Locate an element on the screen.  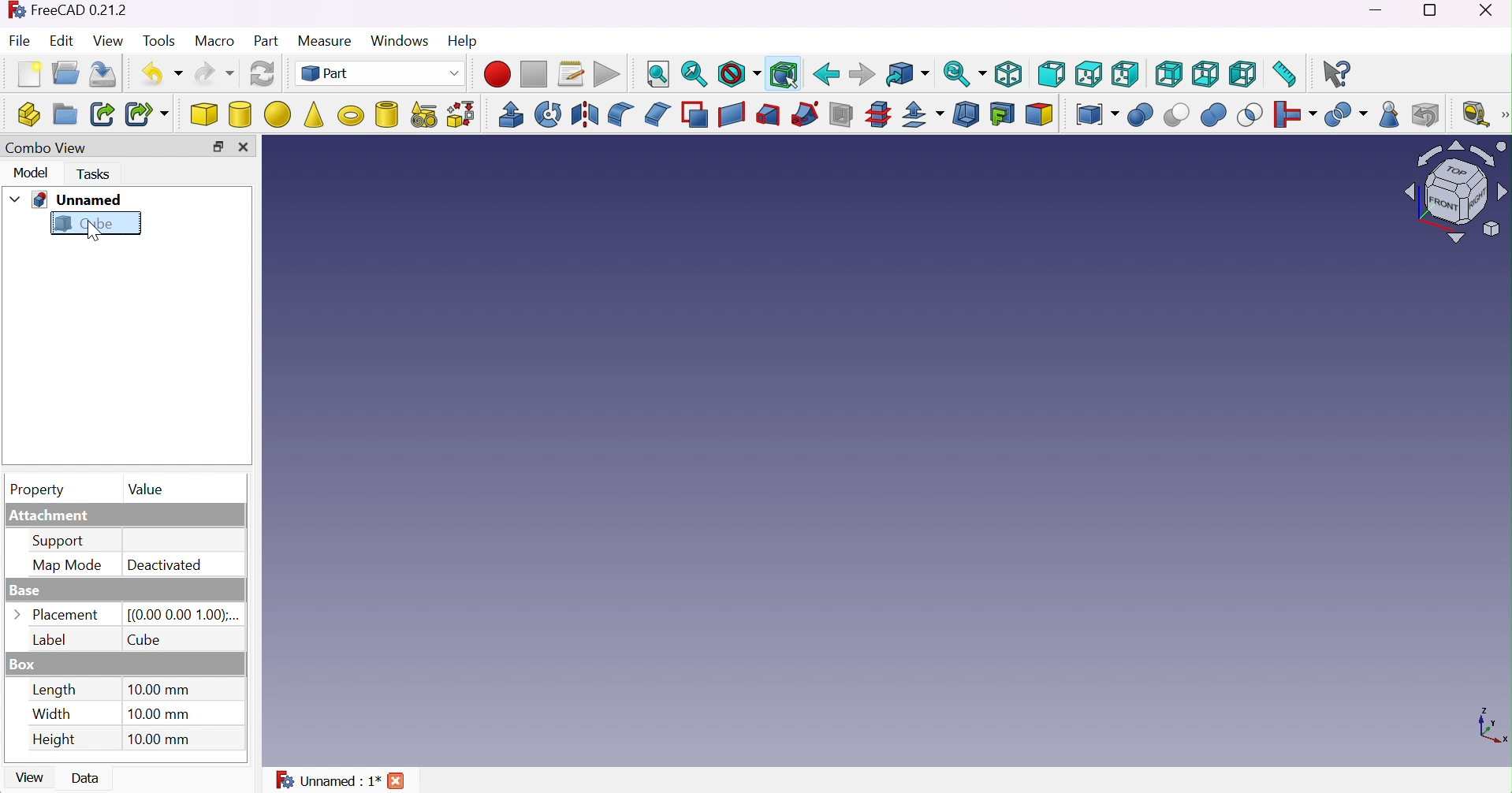
Label is located at coordinates (48, 640).